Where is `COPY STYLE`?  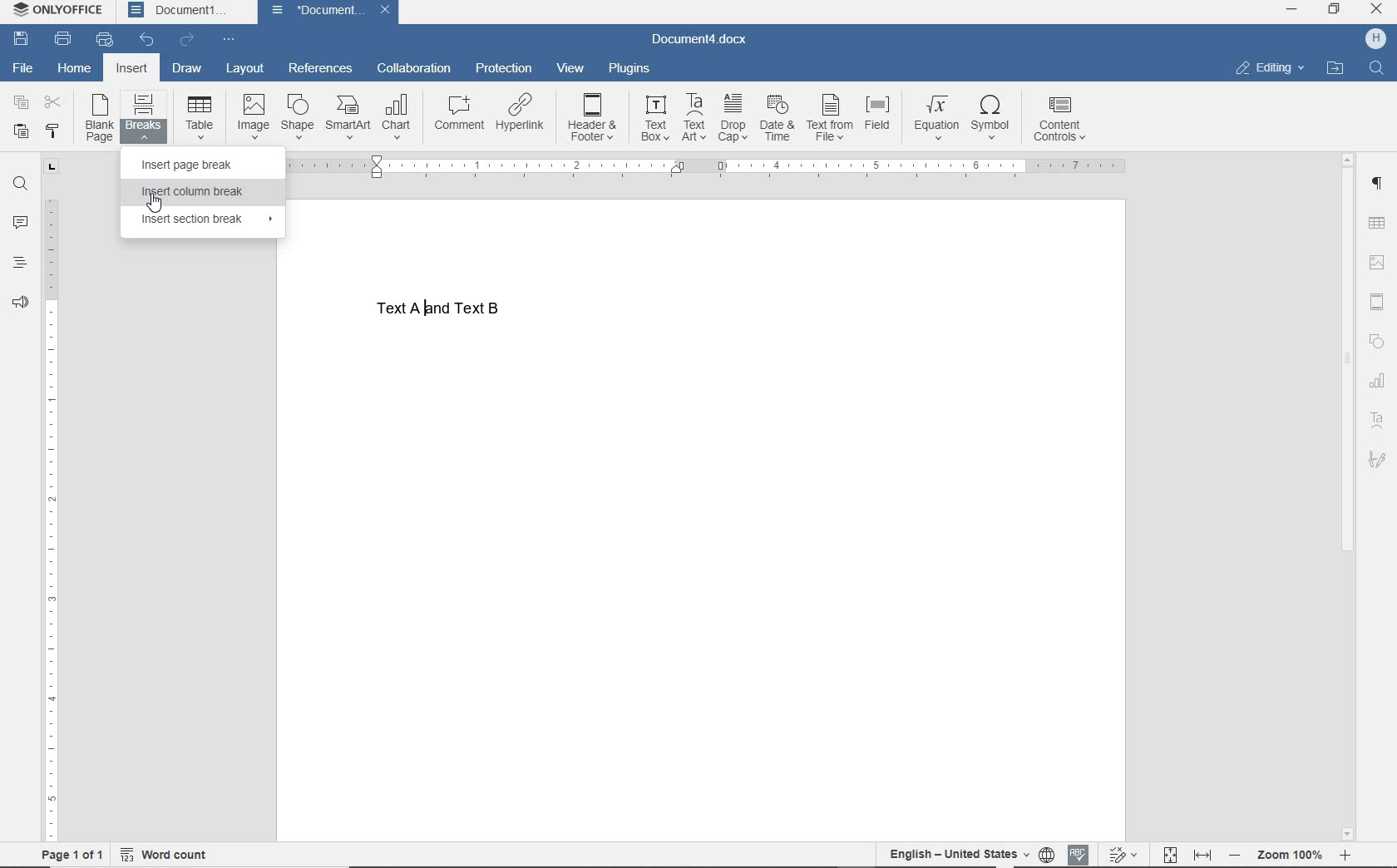 COPY STYLE is located at coordinates (57, 131).